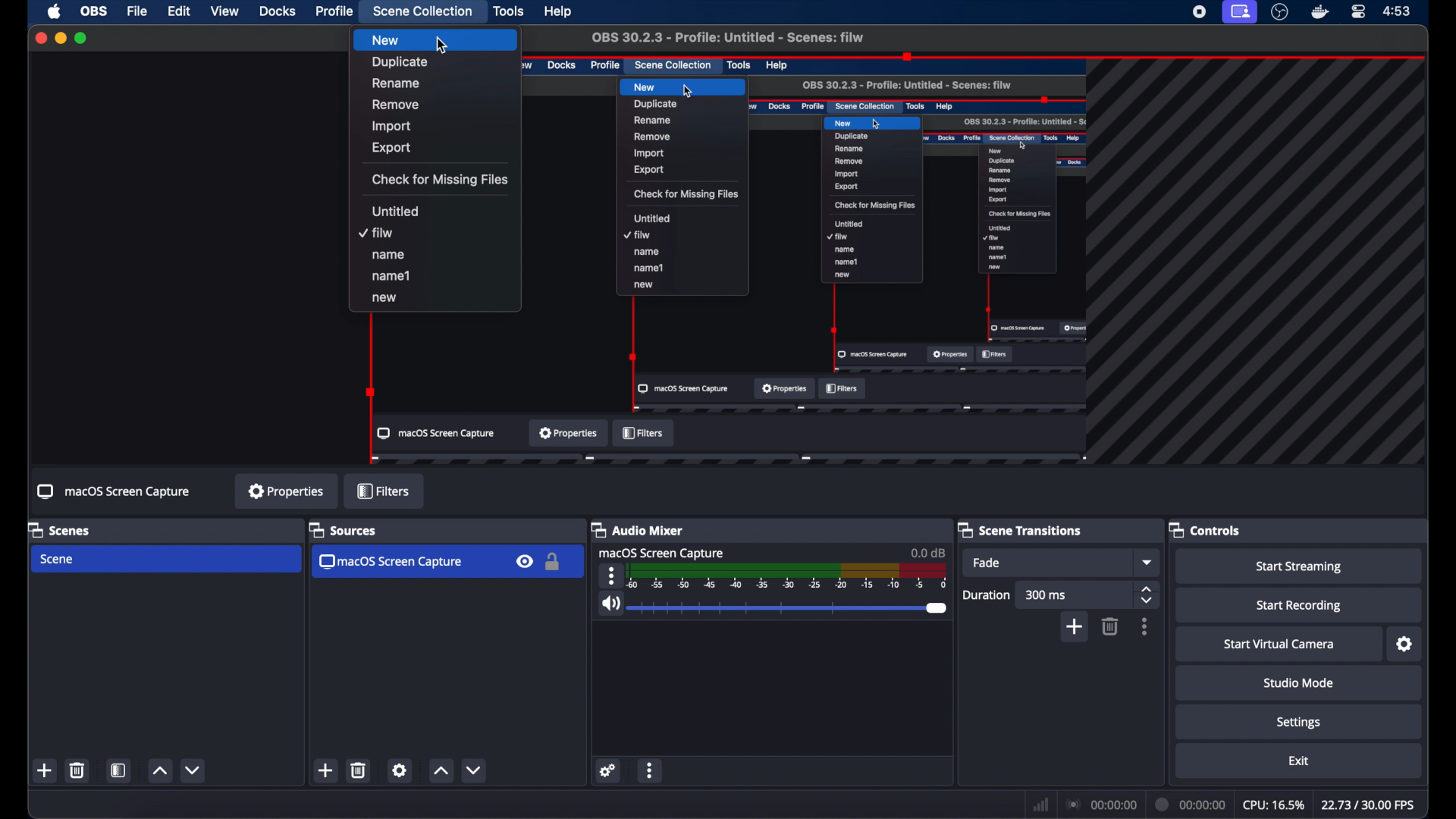  Describe the element at coordinates (1373, 805) in the screenshot. I see `fps` at that location.